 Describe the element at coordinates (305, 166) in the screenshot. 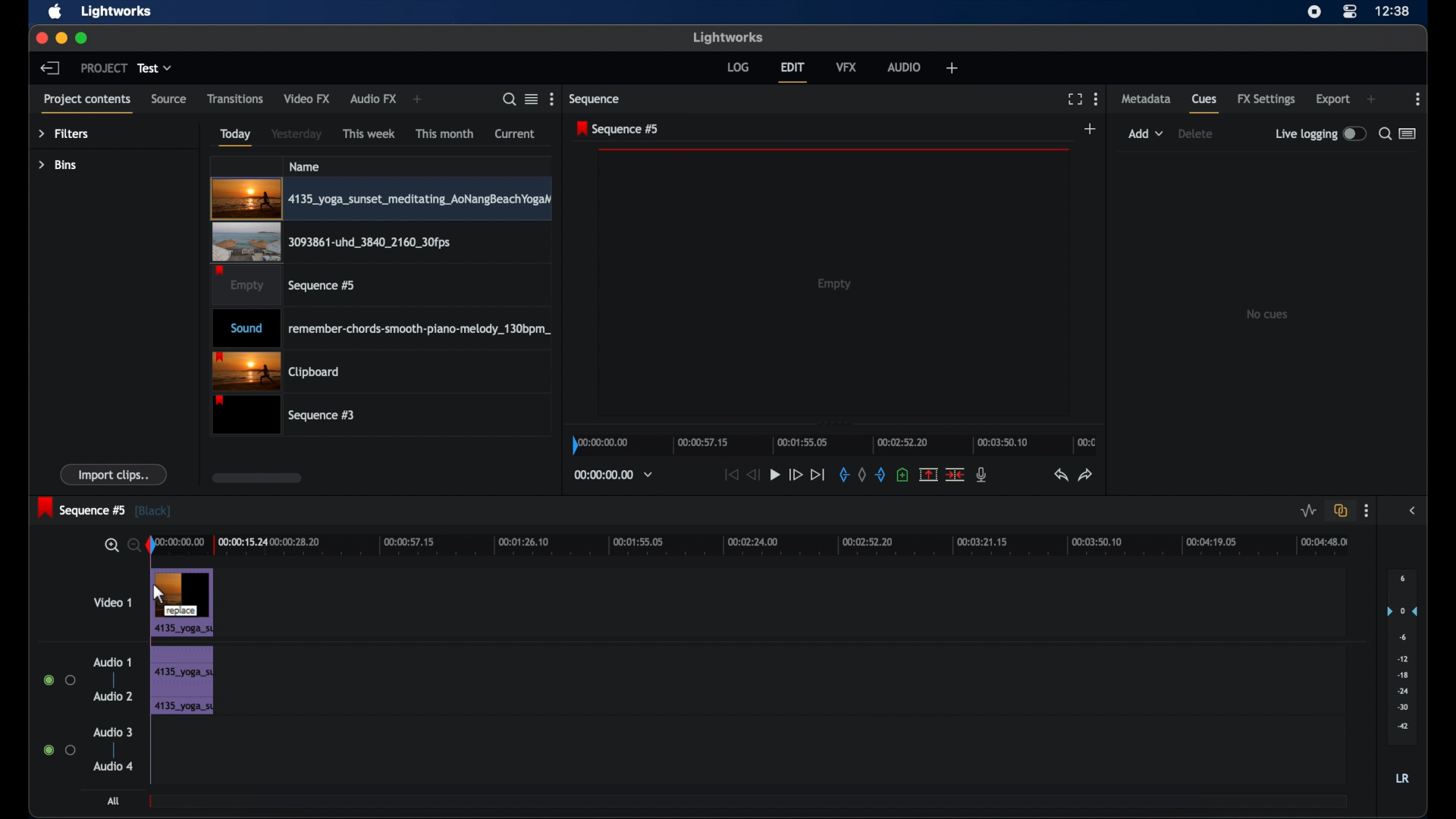

I see `name` at that location.